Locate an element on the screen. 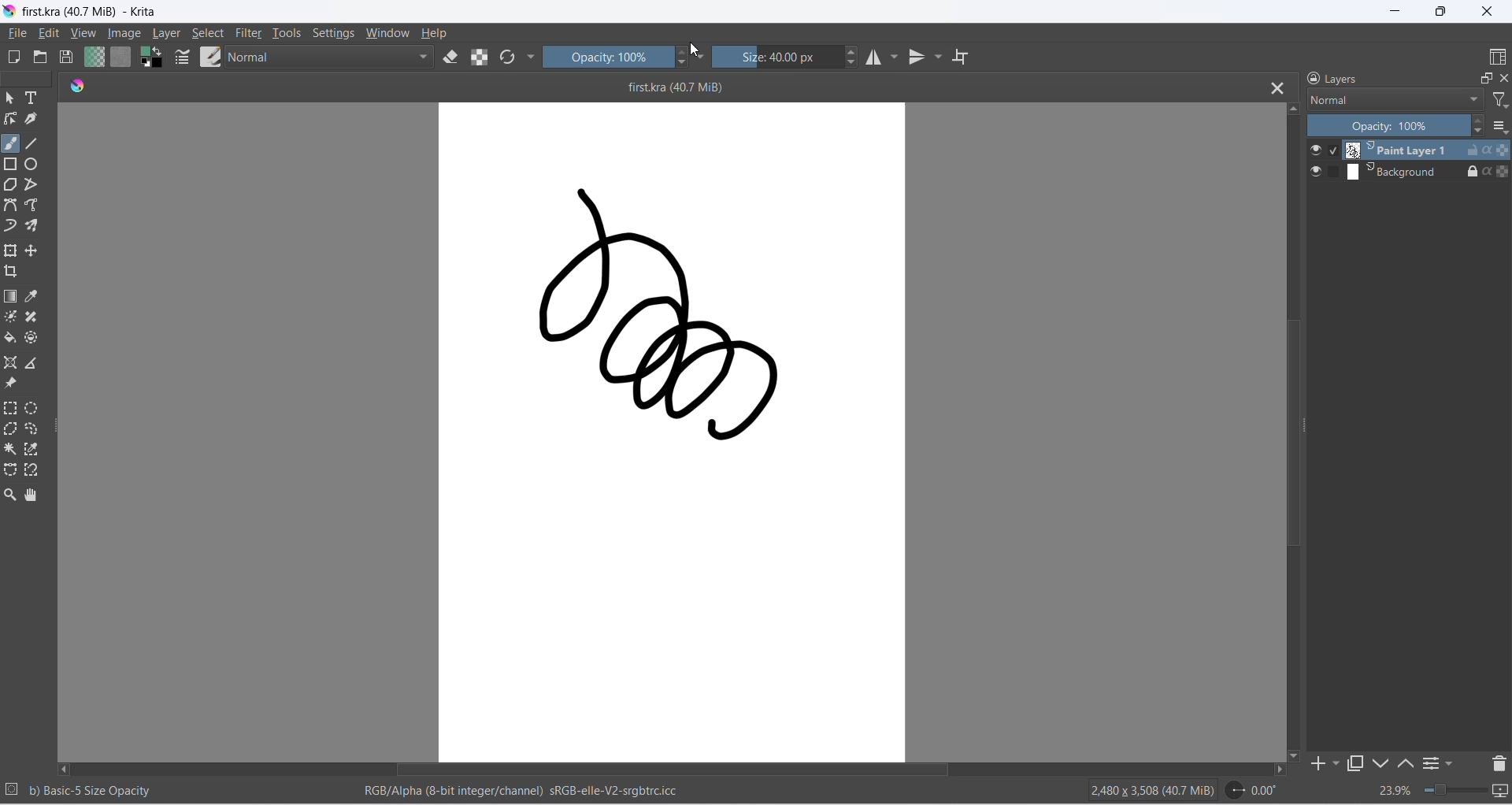 The width and height of the screenshot is (1512, 805). polyline is located at coordinates (31, 184).